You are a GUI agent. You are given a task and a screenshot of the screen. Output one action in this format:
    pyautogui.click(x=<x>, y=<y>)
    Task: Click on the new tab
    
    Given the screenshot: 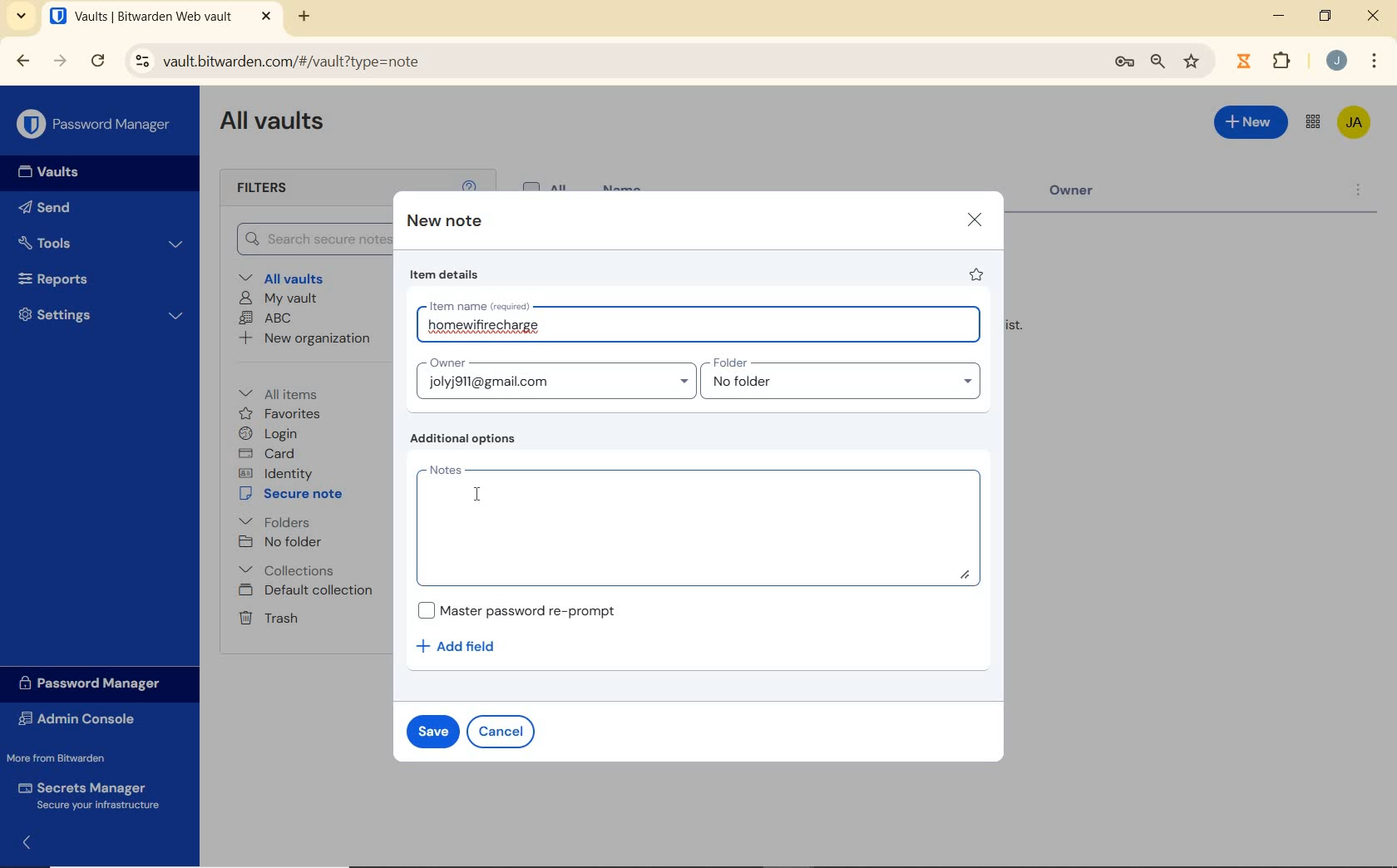 What is the action you would take?
    pyautogui.click(x=306, y=18)
    